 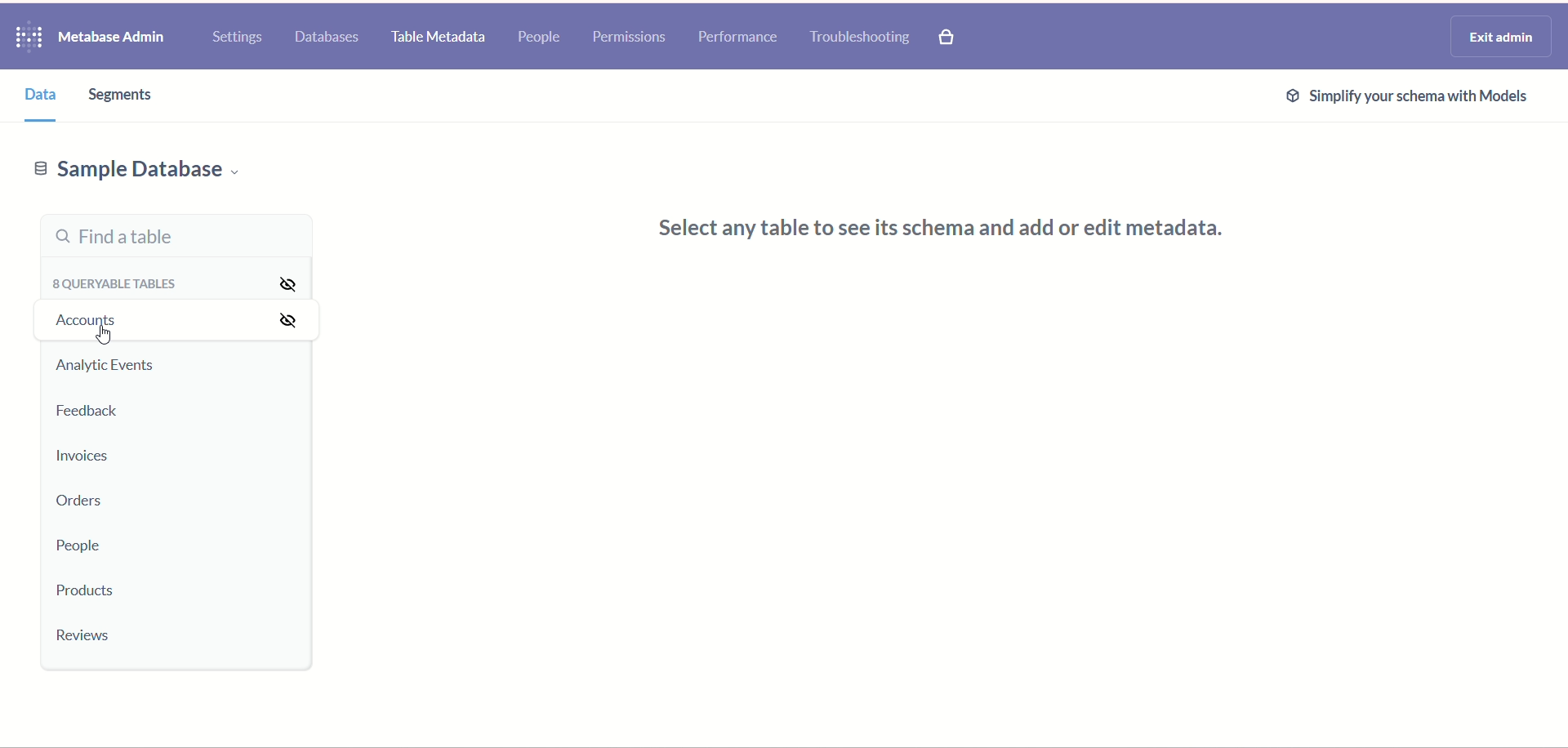 What do you see at coordinates (863, 38) in the screenshot?
I see `troubleshooting` at bounding box center [863, 38].